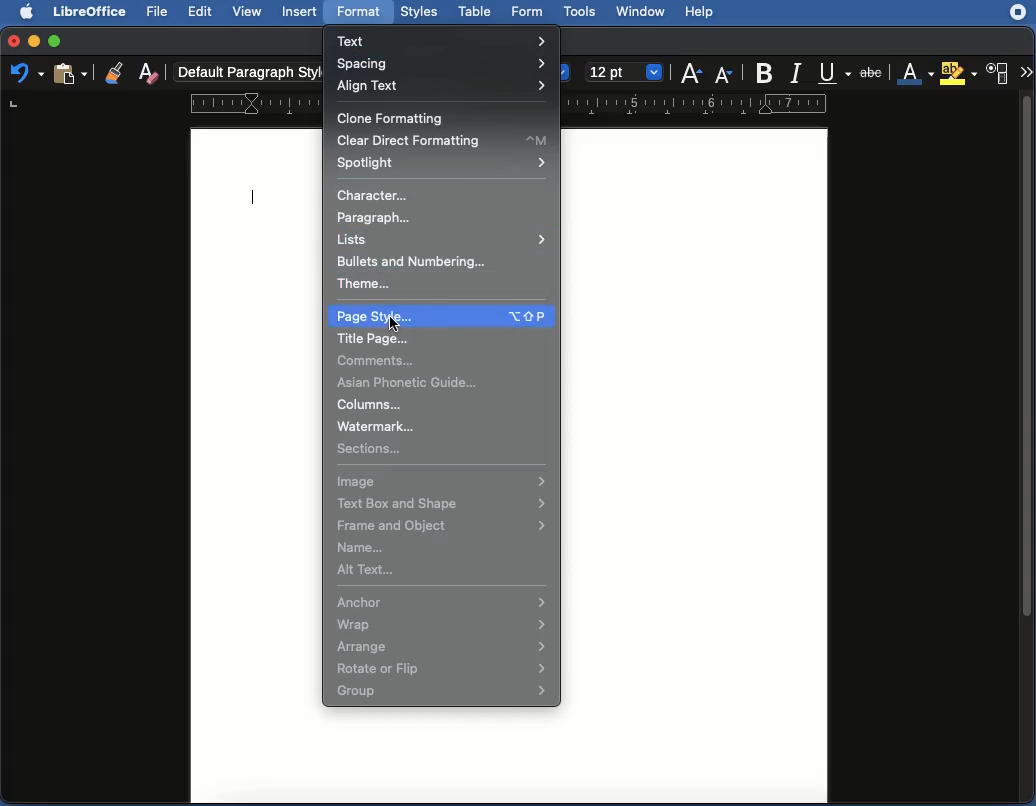 This screenshot has height=806, width=1036. I want to click on Image, so click(444, 482).